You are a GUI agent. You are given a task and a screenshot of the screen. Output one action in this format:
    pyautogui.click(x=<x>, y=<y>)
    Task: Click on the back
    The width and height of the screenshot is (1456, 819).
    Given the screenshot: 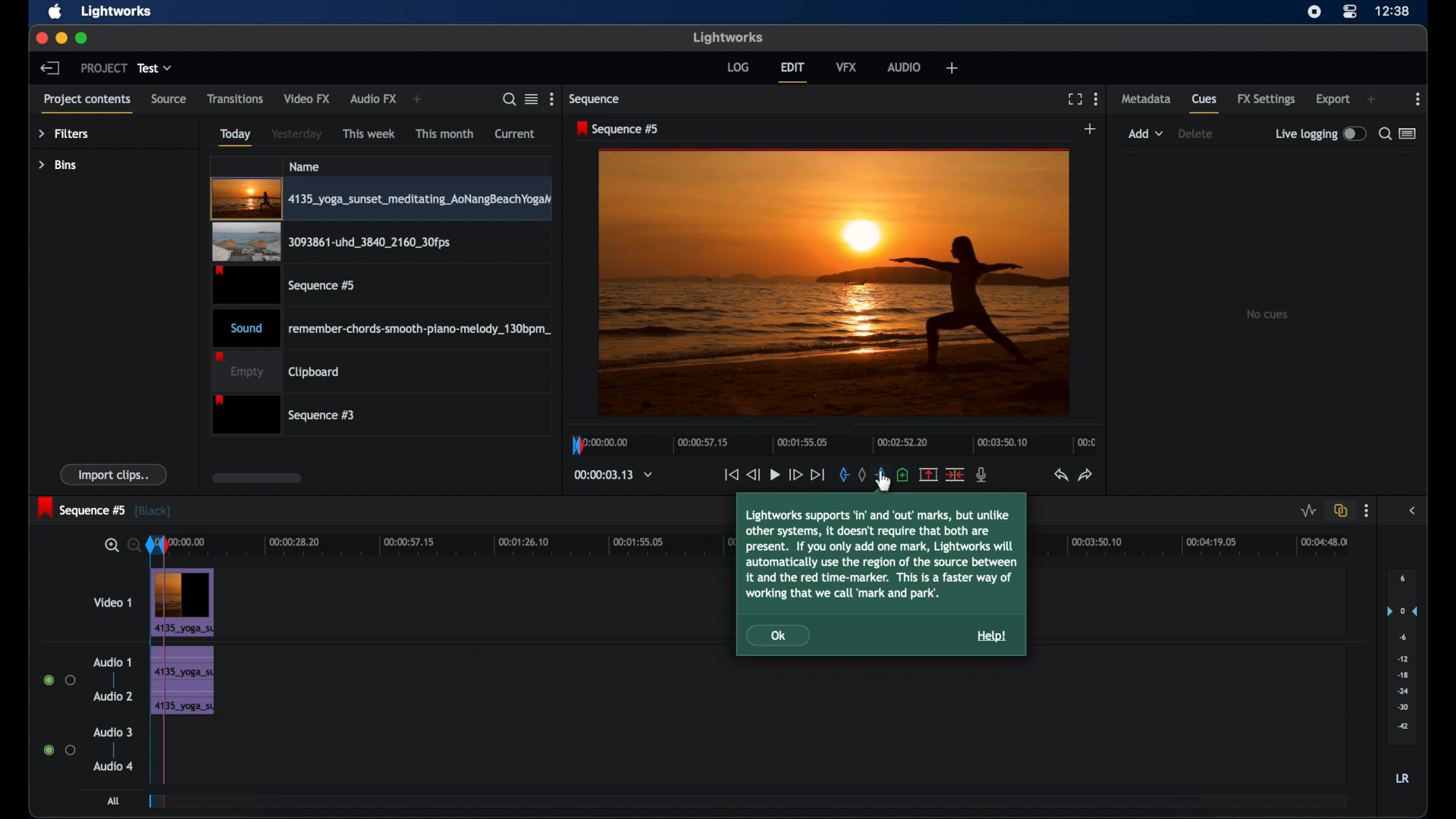 What is the action you would take?
    pyautogui.click(x=52, y=68)
    